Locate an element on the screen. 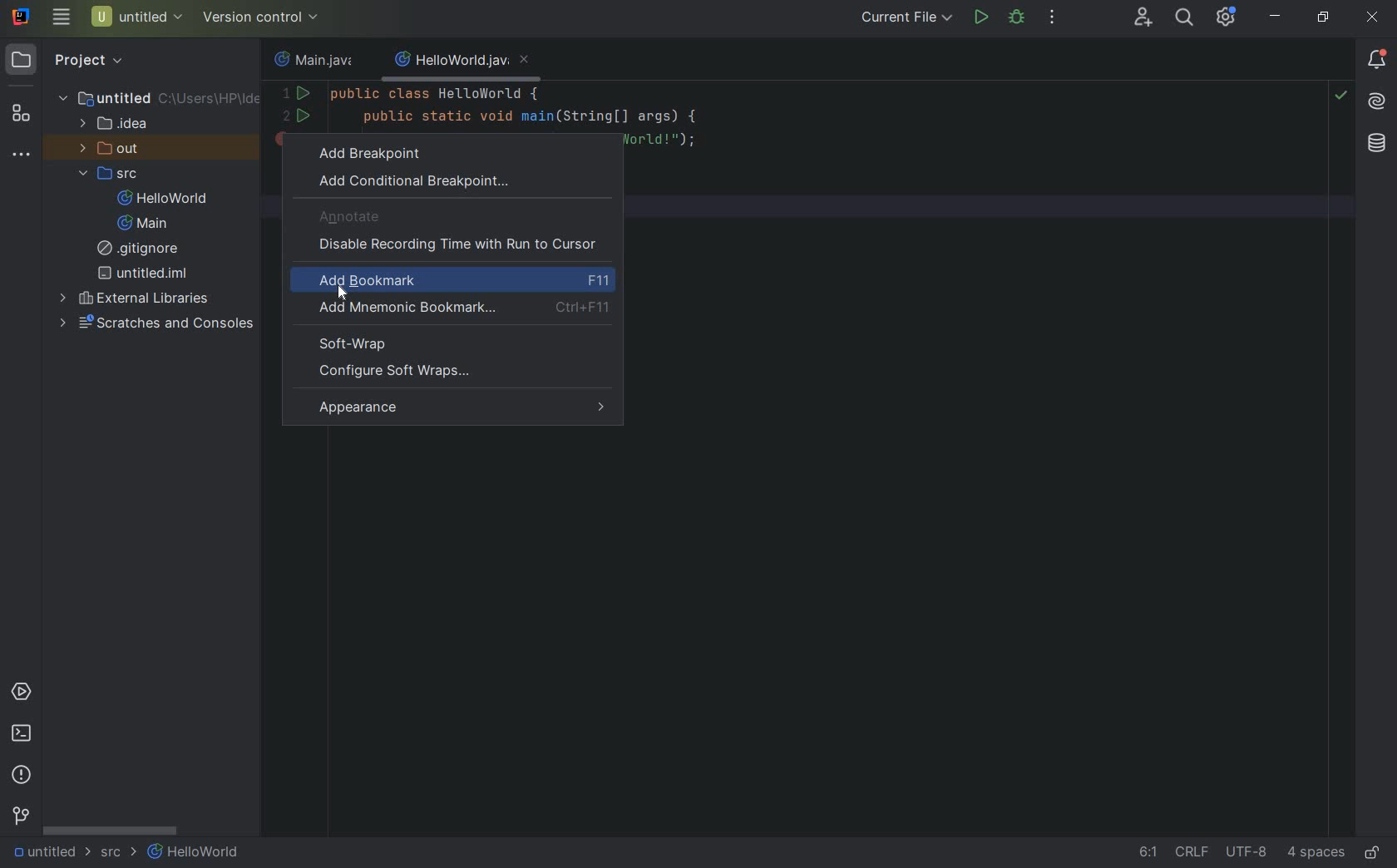 This screenshot has height=868, width=1397. main menu is located at coordinates (60, 17).